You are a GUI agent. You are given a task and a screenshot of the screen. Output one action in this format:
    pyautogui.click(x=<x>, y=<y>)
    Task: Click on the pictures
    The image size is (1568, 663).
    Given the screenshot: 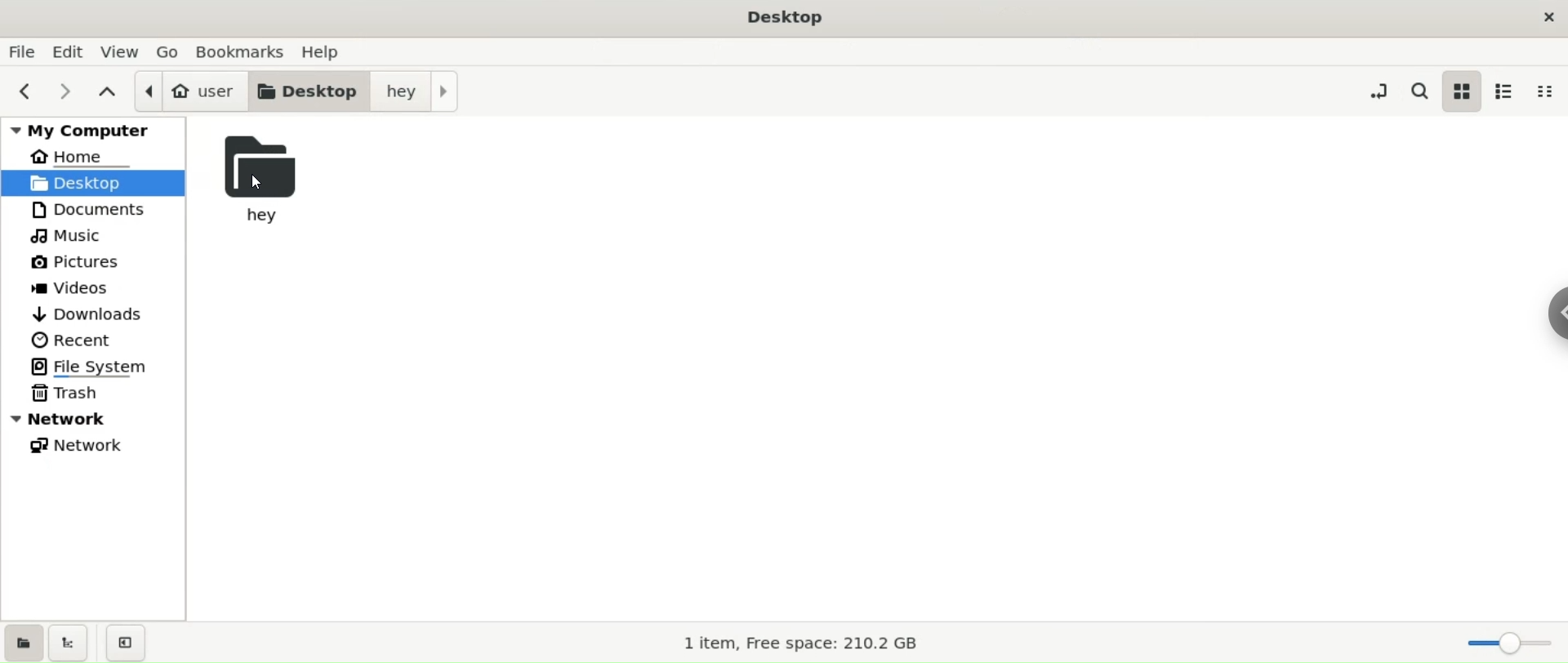 What is the action you would take?
    pyautogui.click(x=92, y=264)
    